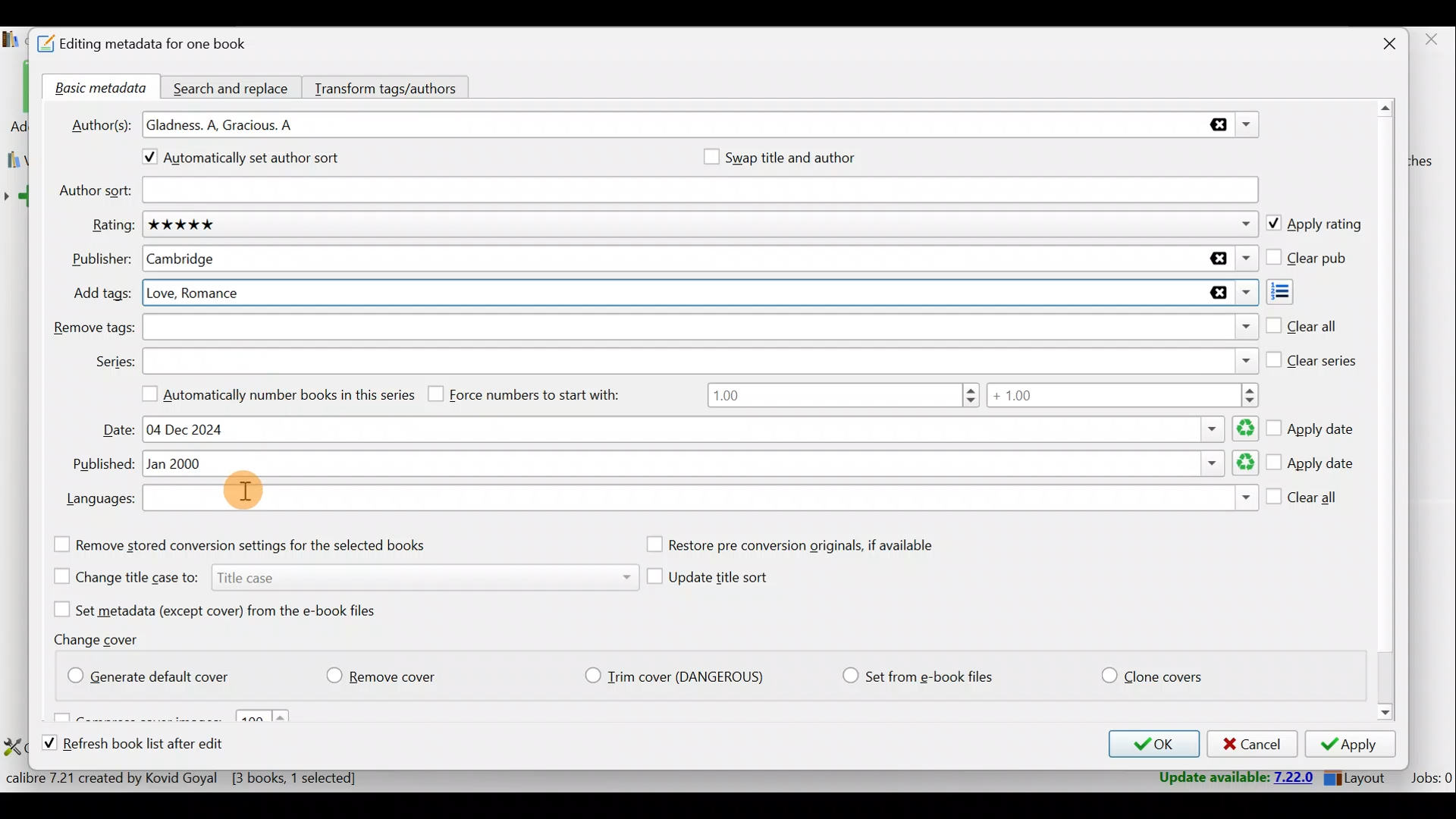  Describe the element at coordinates (99, 500) in the screenshot. I see `Languages:` at that location.